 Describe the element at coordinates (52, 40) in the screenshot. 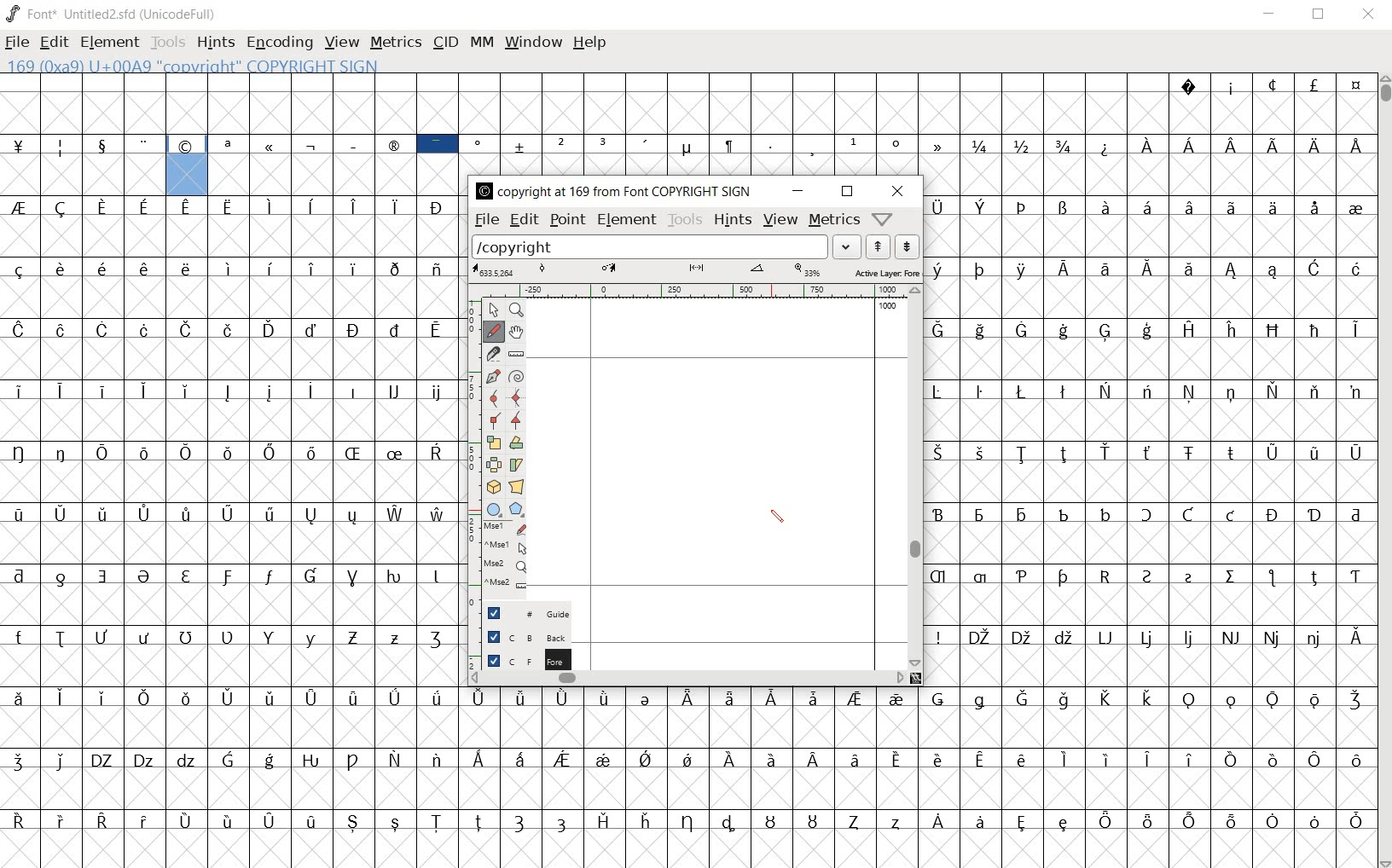

I see `edit` at that location.